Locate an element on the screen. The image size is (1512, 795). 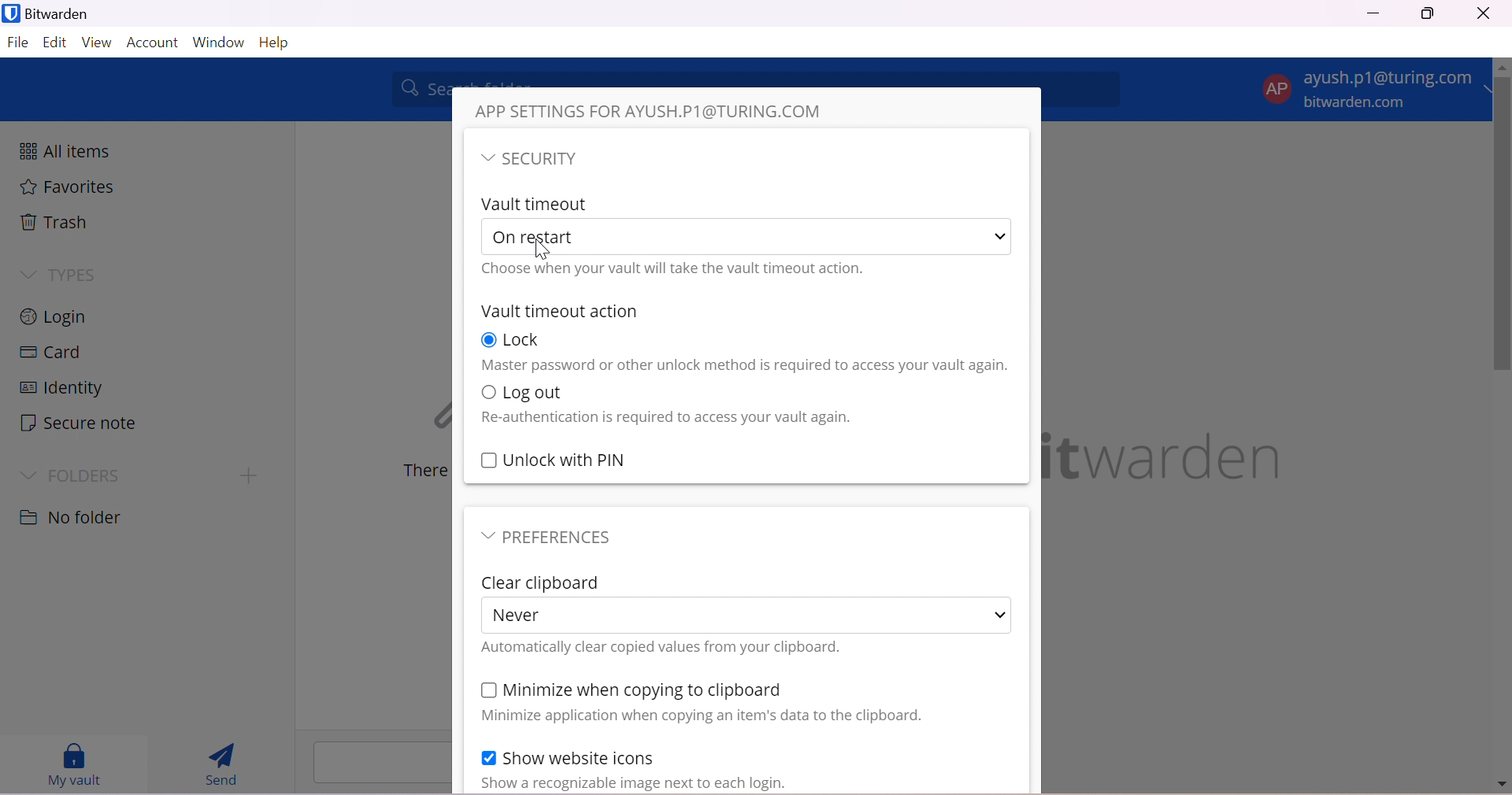
File is located at coordinates (17, 45).